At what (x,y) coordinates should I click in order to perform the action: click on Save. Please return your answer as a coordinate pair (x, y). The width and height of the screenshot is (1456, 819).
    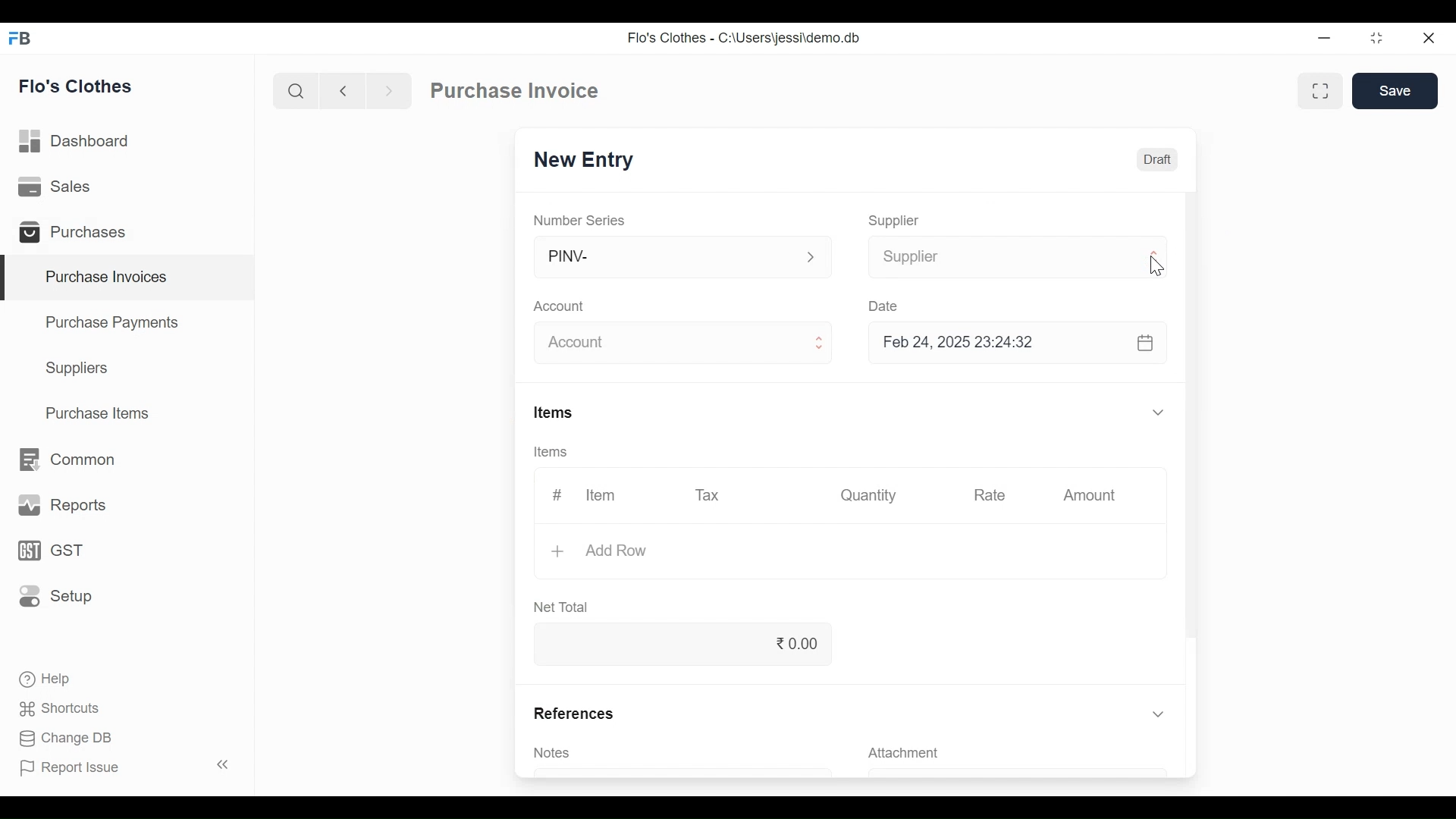
    Looking at the image, I should click on (1395, 91).